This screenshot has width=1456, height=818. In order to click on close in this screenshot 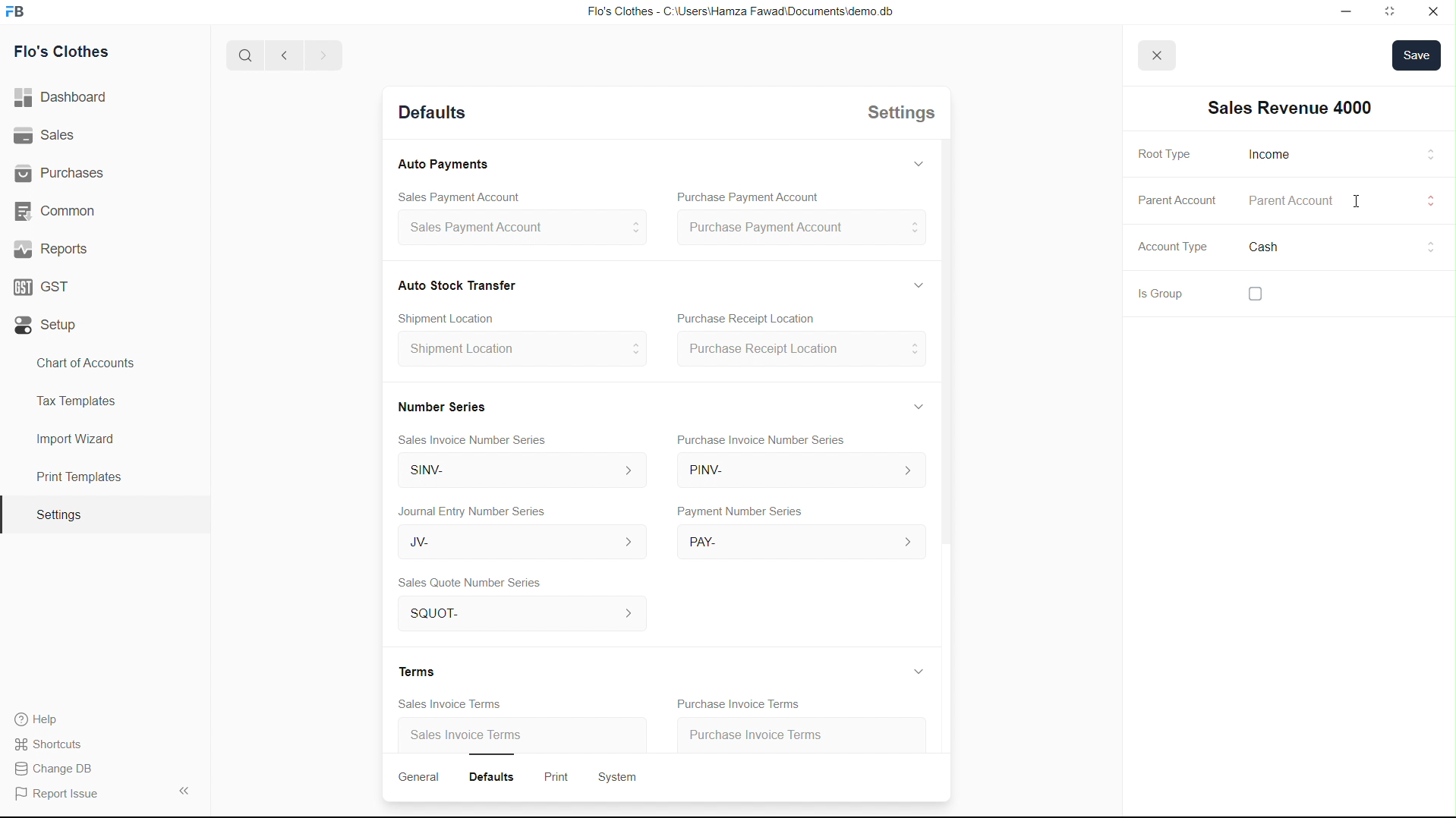, I will do `click(1155, 55)`.